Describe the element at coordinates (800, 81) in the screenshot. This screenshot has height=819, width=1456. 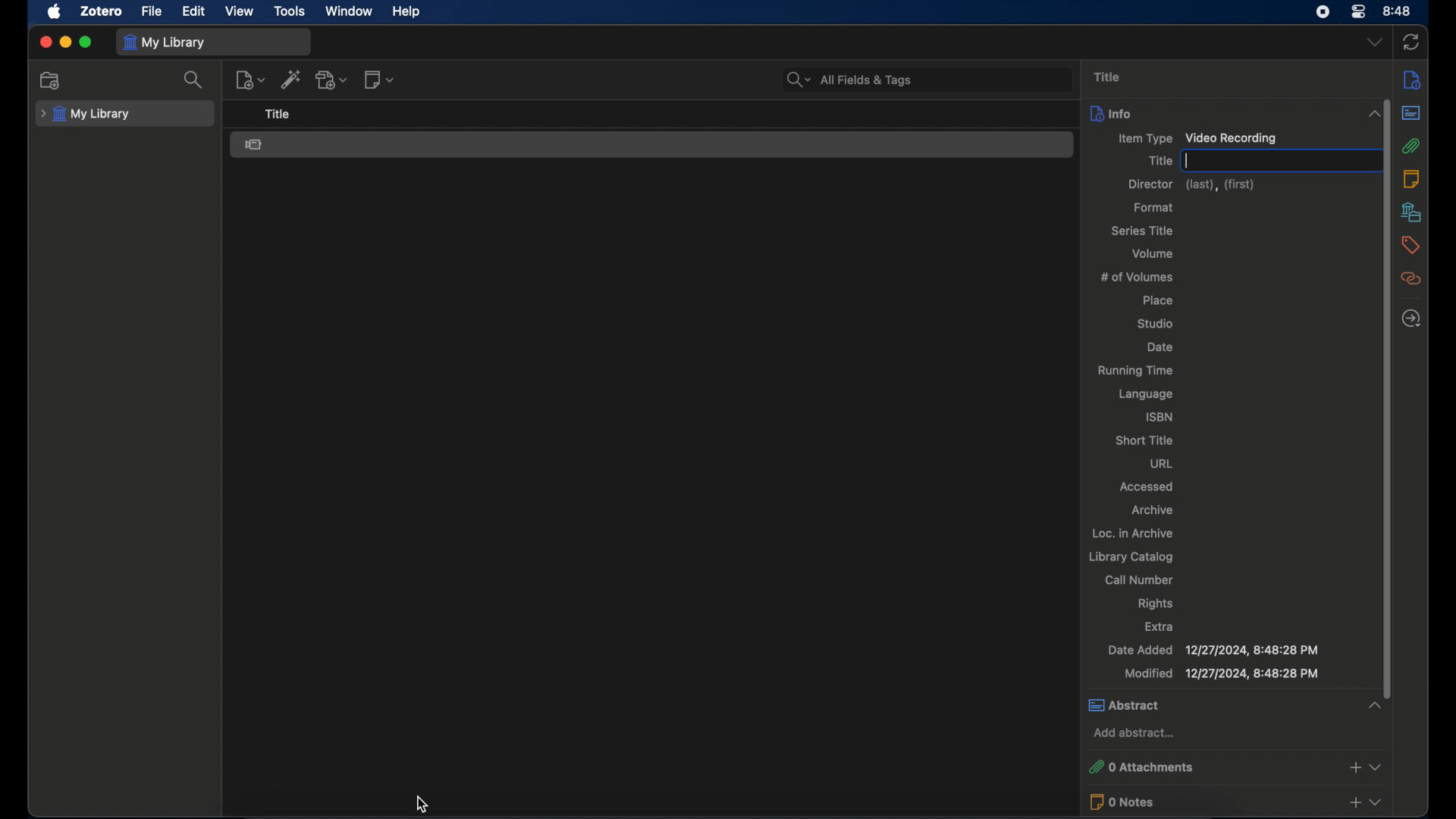
I see `search dropdown` at that location.